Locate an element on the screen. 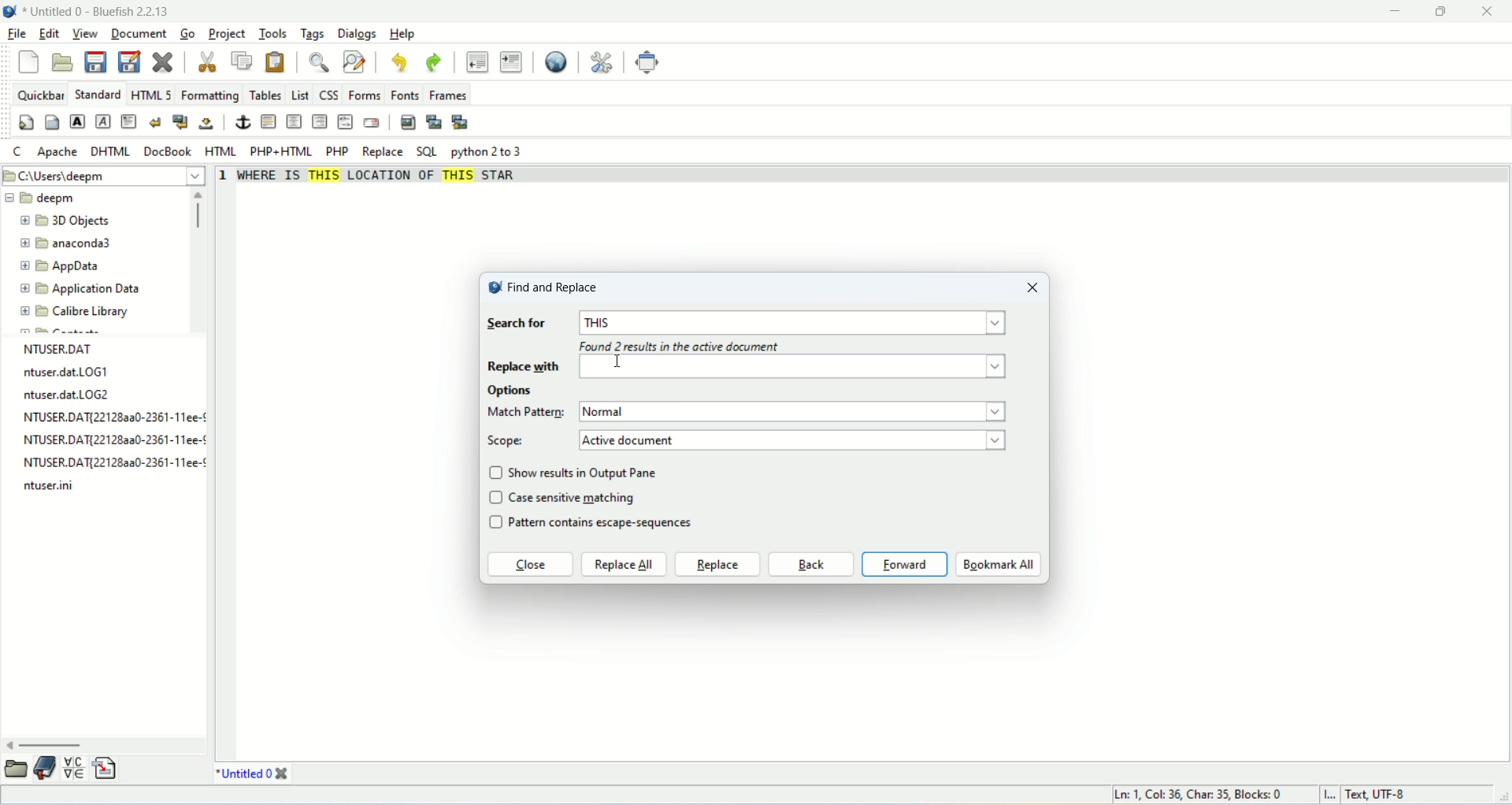 This screenshot has height=805, width=1512. new file is located at coordinates (31, 62).